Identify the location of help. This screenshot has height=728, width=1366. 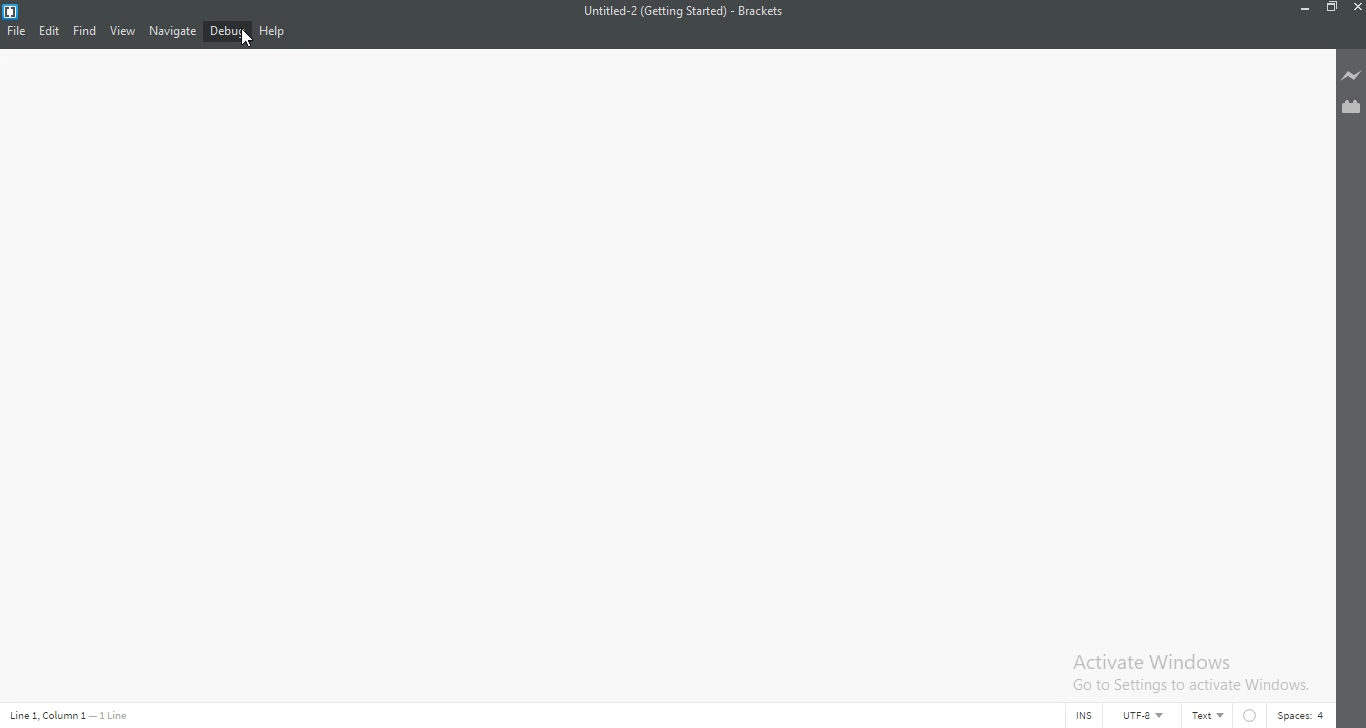
(273, 31).